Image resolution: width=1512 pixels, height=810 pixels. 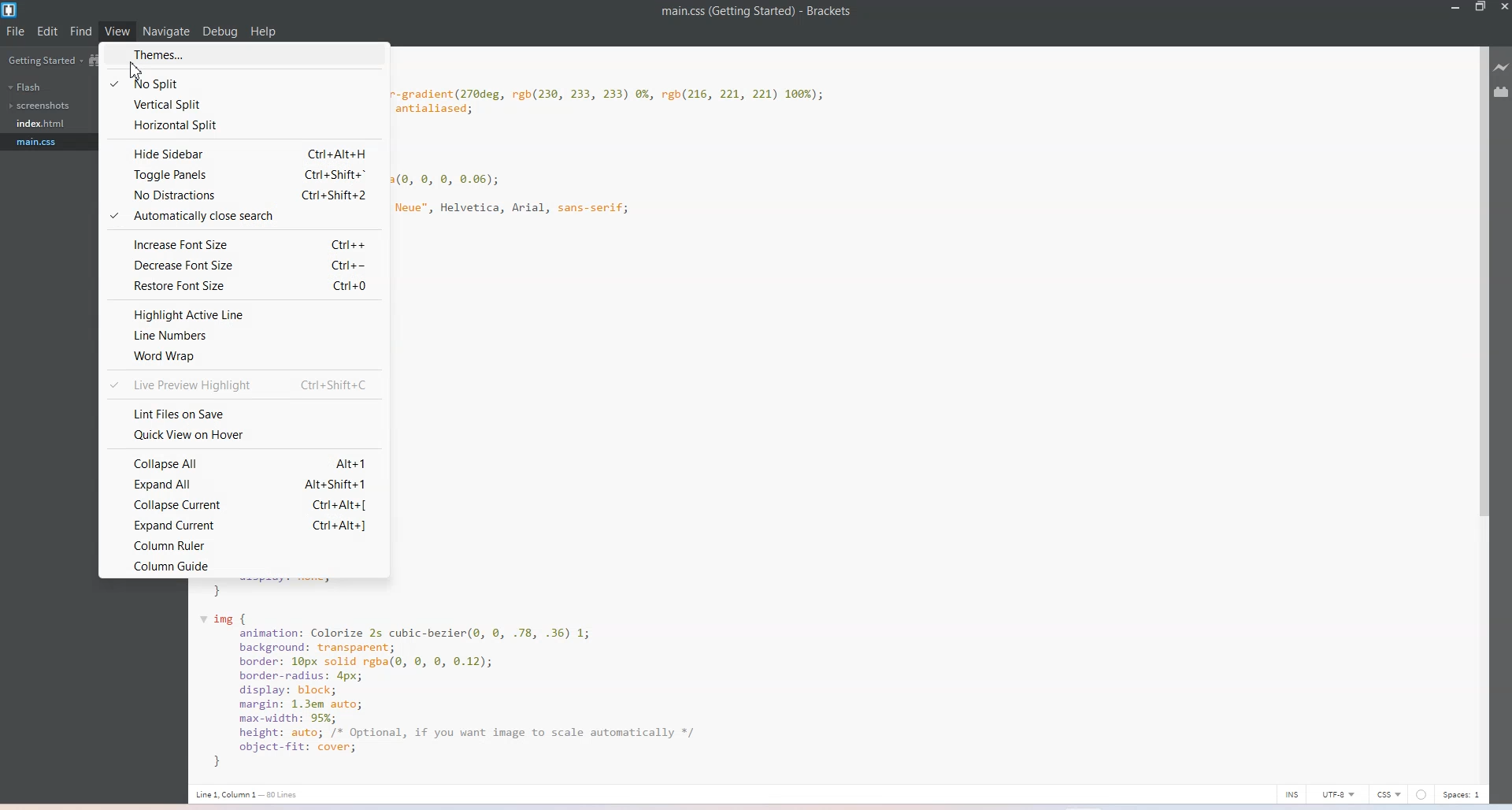 I want to click on Hide sidebar, so click(x=245, y=152).